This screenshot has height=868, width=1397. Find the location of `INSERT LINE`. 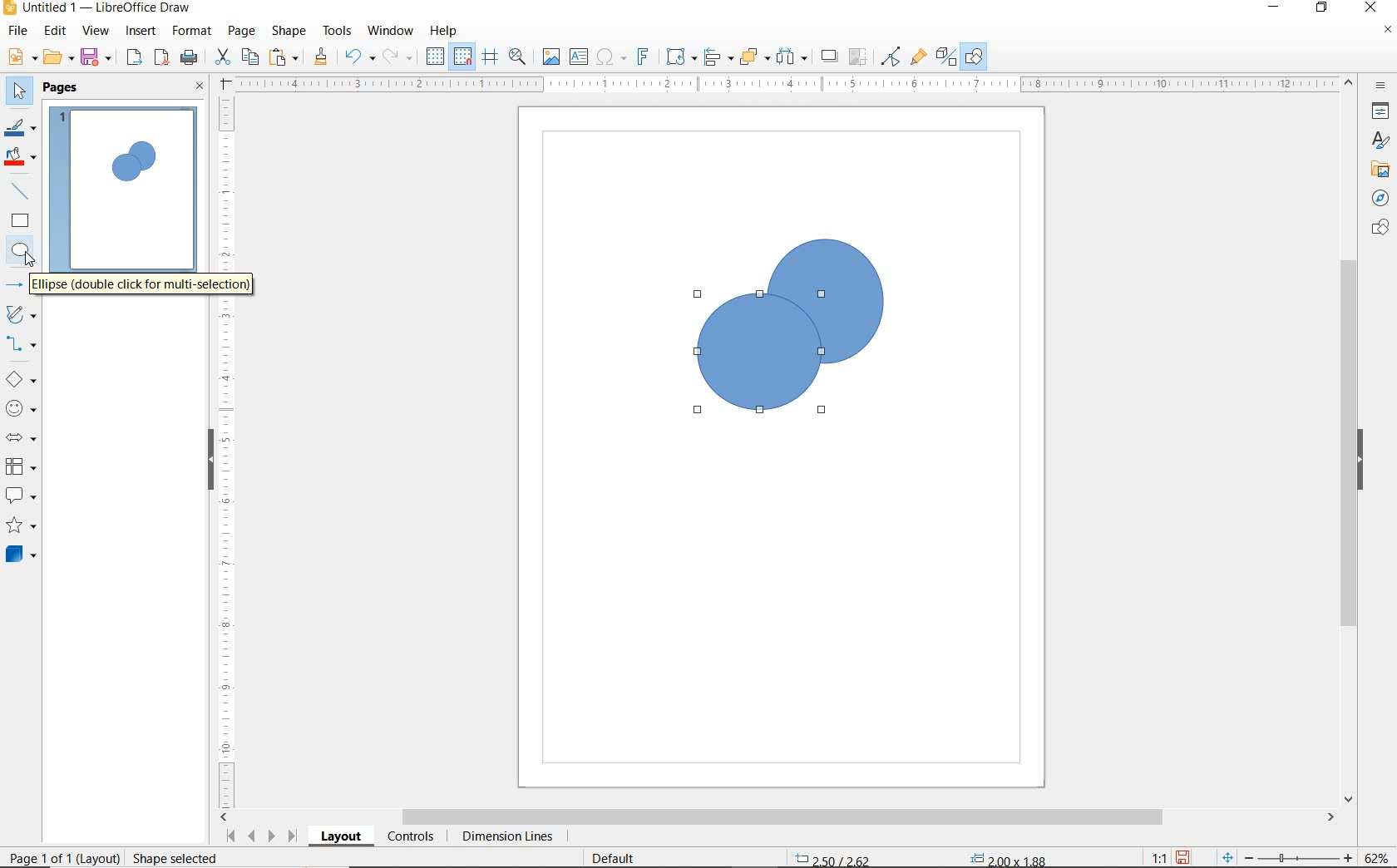

INSERT LINE is located at coordinates (22, 191).